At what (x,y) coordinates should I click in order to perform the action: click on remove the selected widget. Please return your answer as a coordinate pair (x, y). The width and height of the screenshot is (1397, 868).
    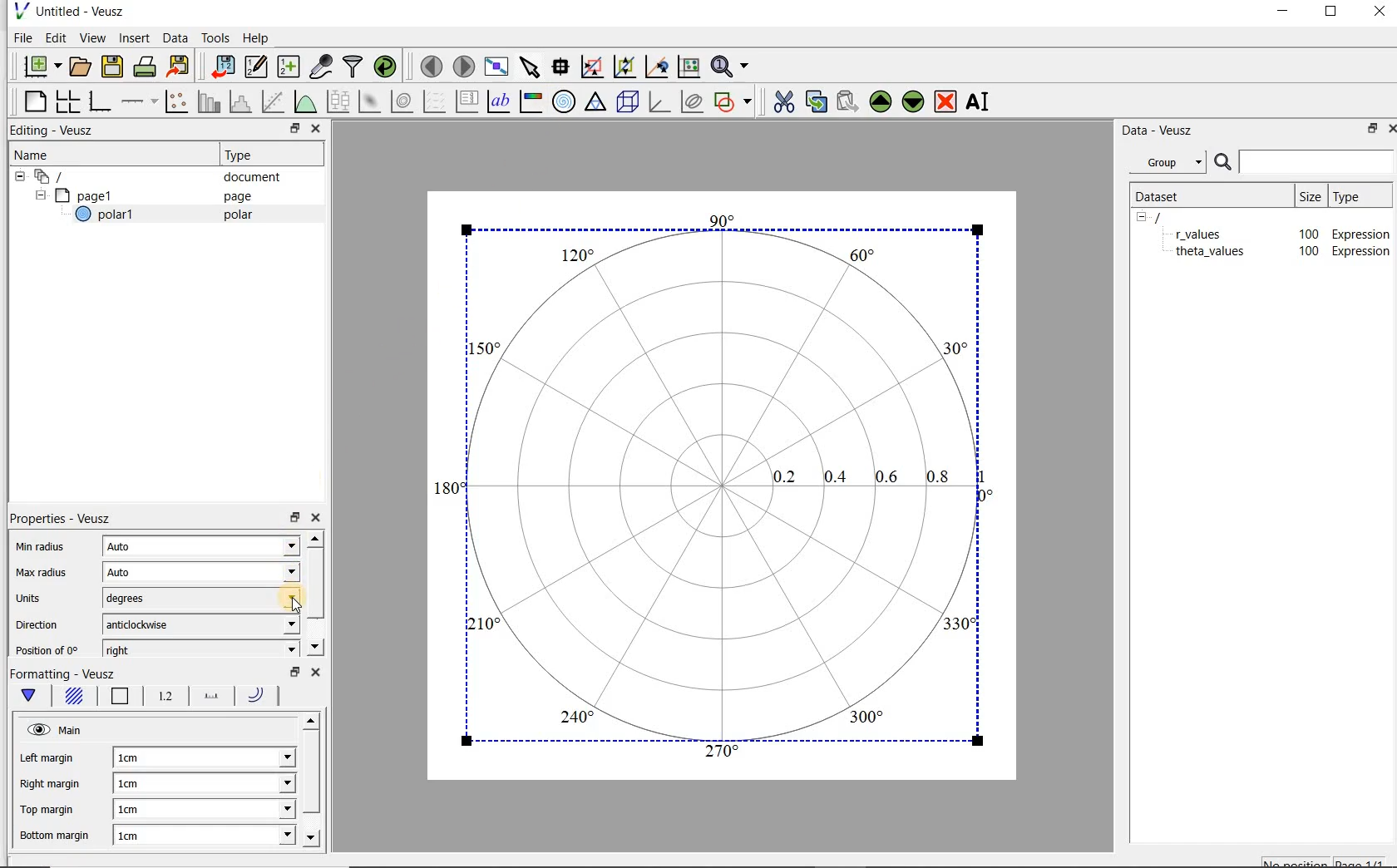
    Looking at the image, I should click on (946, 101).